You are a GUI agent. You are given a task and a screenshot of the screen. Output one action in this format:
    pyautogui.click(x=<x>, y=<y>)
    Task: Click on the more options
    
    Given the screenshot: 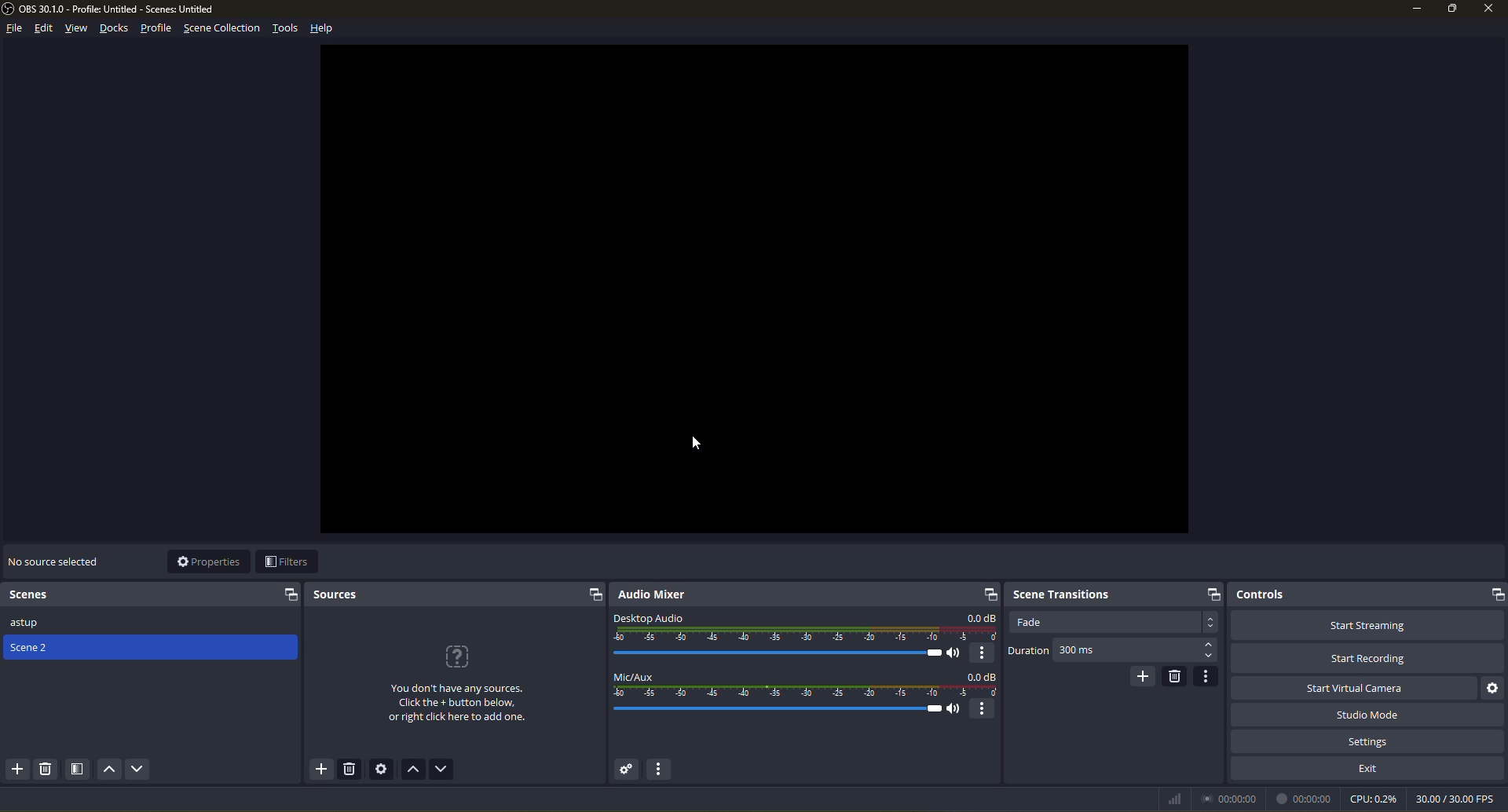 What is the action you would take?
    pyautogui.click(x=983, y=709)
    